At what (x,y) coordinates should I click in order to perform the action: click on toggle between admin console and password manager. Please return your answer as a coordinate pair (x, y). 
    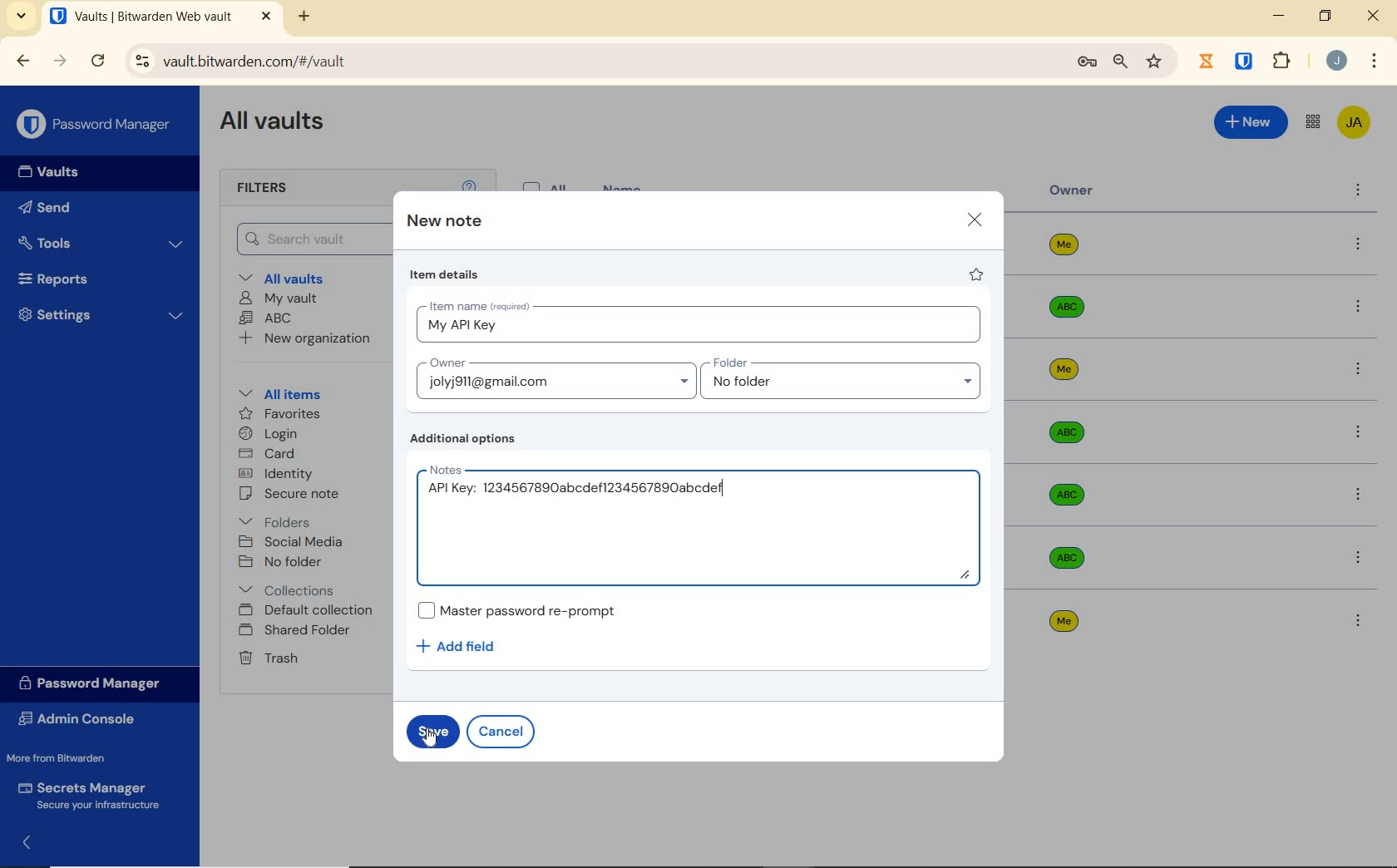
    Looking at the image, I should click on (1311, 122).